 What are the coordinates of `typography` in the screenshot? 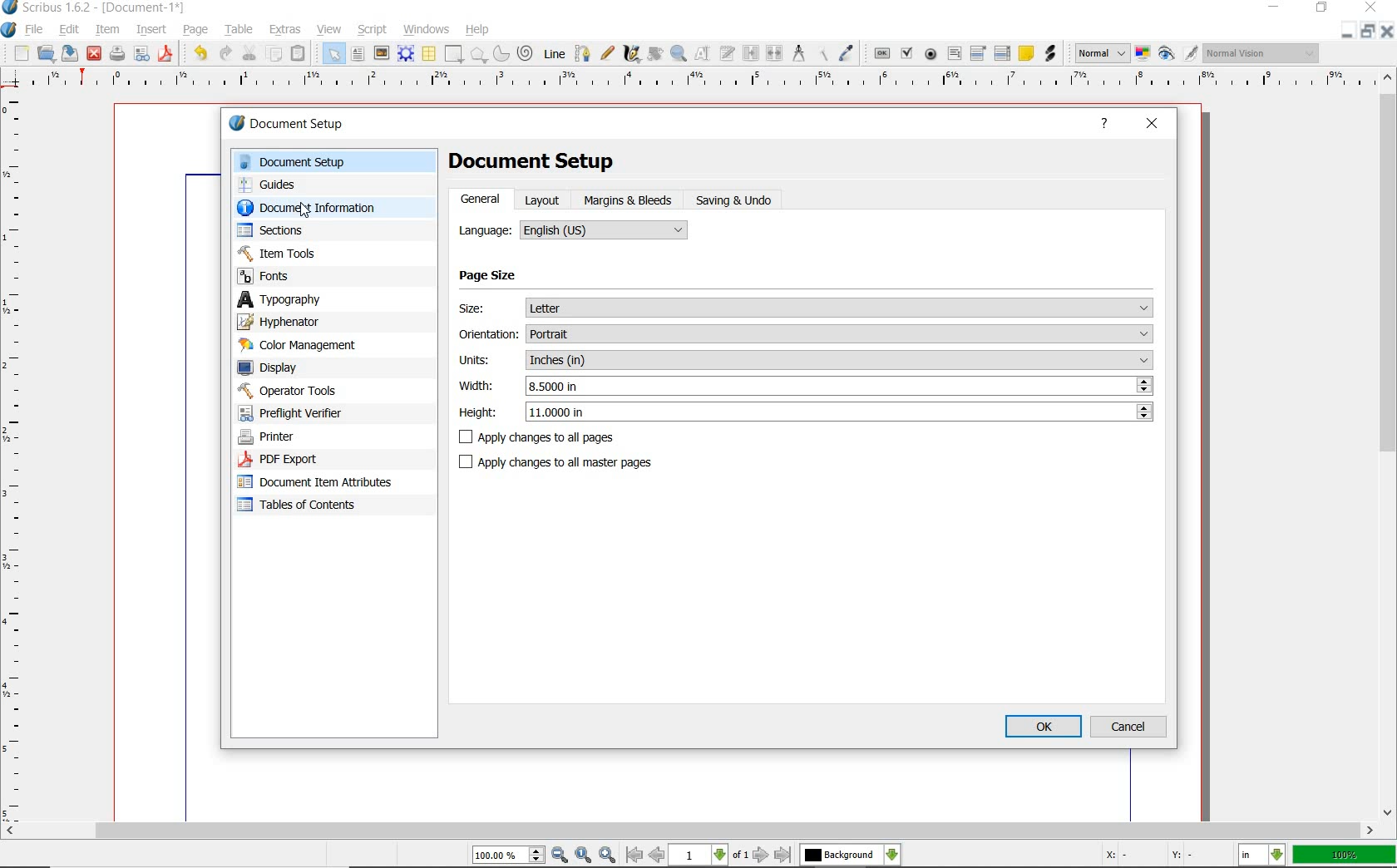 It's located at (303, 299).